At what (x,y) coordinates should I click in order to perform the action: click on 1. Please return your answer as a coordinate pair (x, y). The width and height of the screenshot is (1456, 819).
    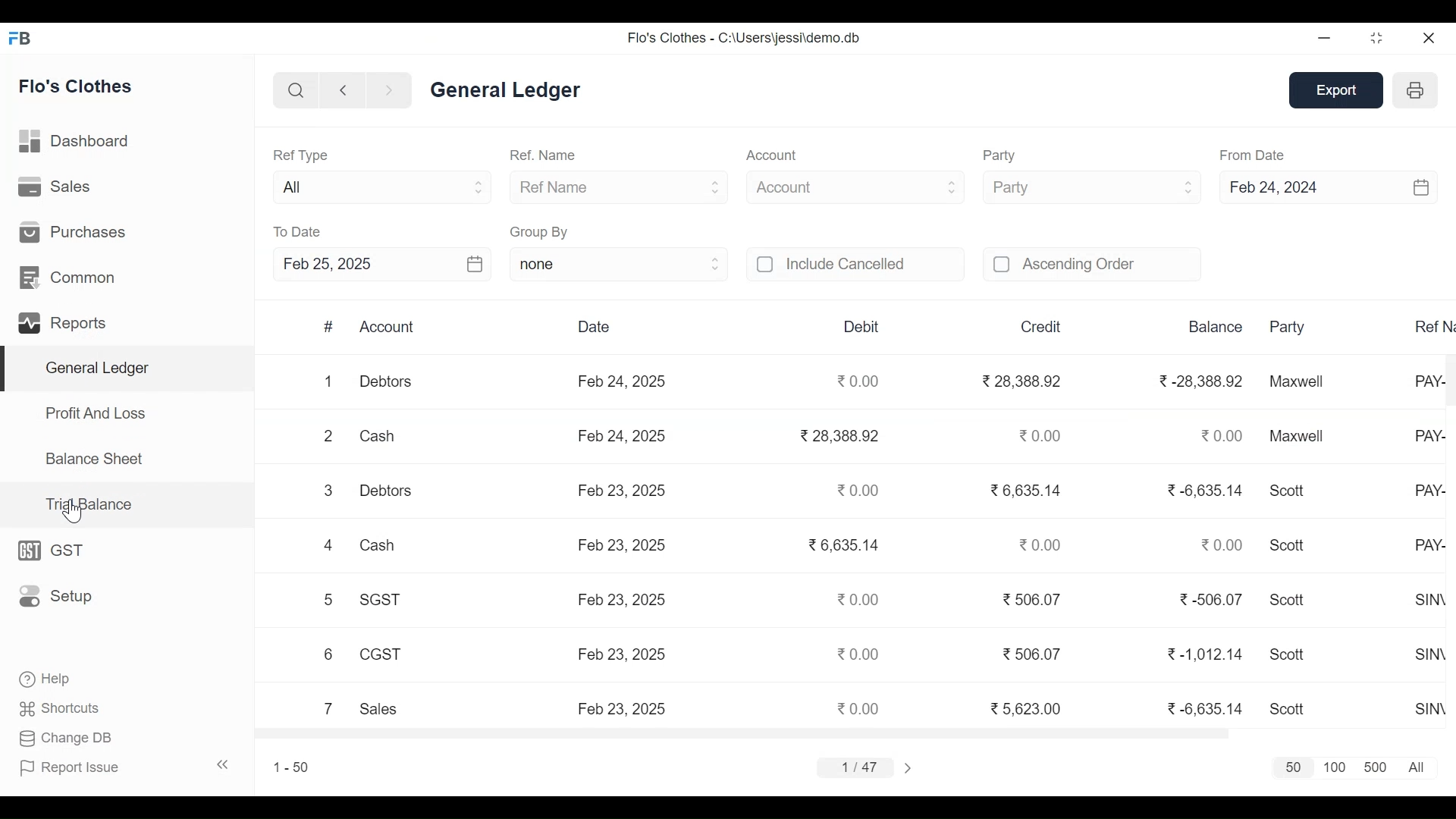
    Looking at the image, I should click on (330, 381).